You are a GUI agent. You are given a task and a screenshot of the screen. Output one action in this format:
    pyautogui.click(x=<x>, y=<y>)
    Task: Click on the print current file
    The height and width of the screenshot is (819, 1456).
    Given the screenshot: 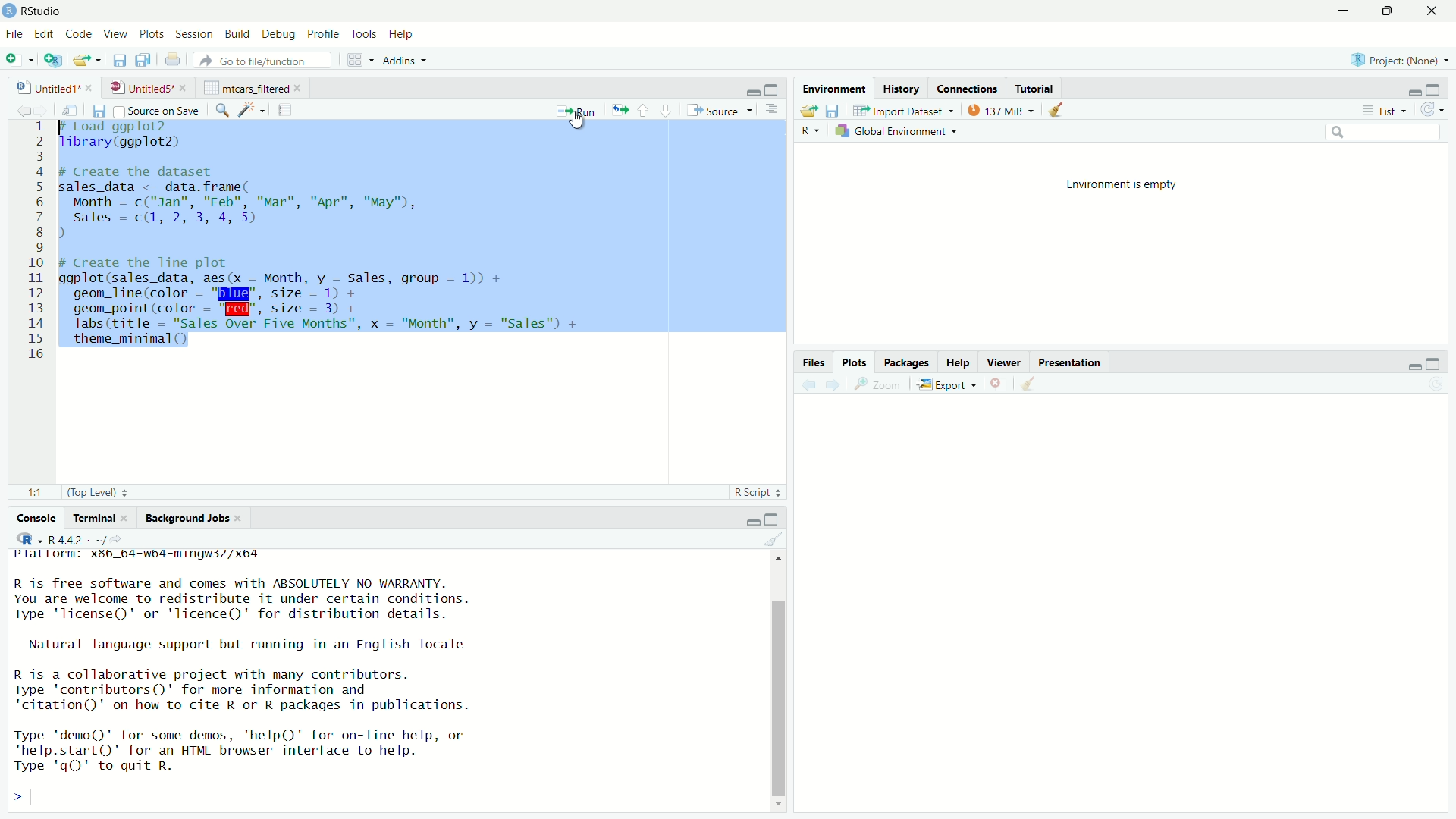 What is the action you would take?
    pyautogui.click(x=174, y=61)
    